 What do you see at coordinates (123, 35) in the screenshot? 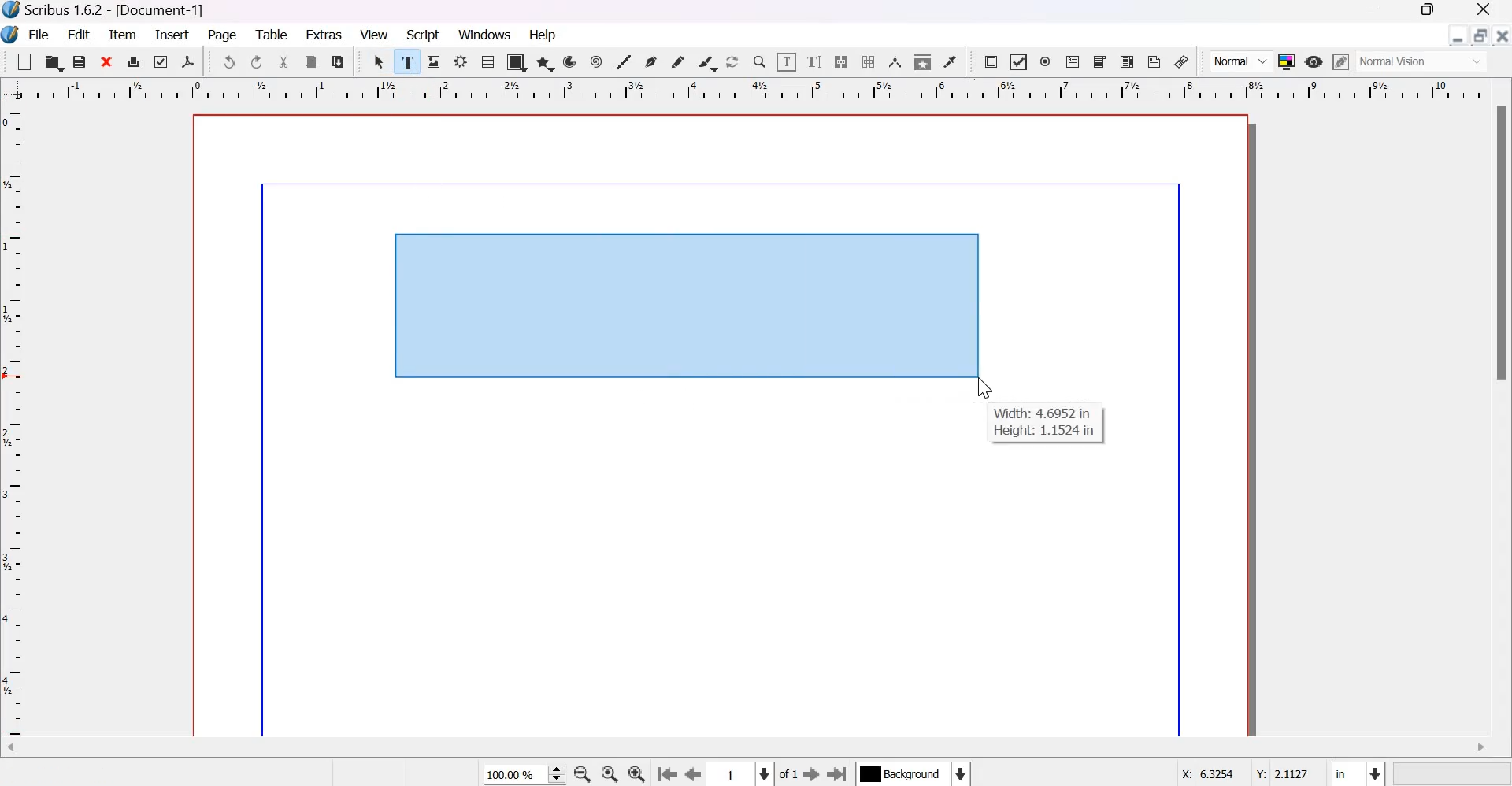
I see `Item` at bounding box center [123, 35].